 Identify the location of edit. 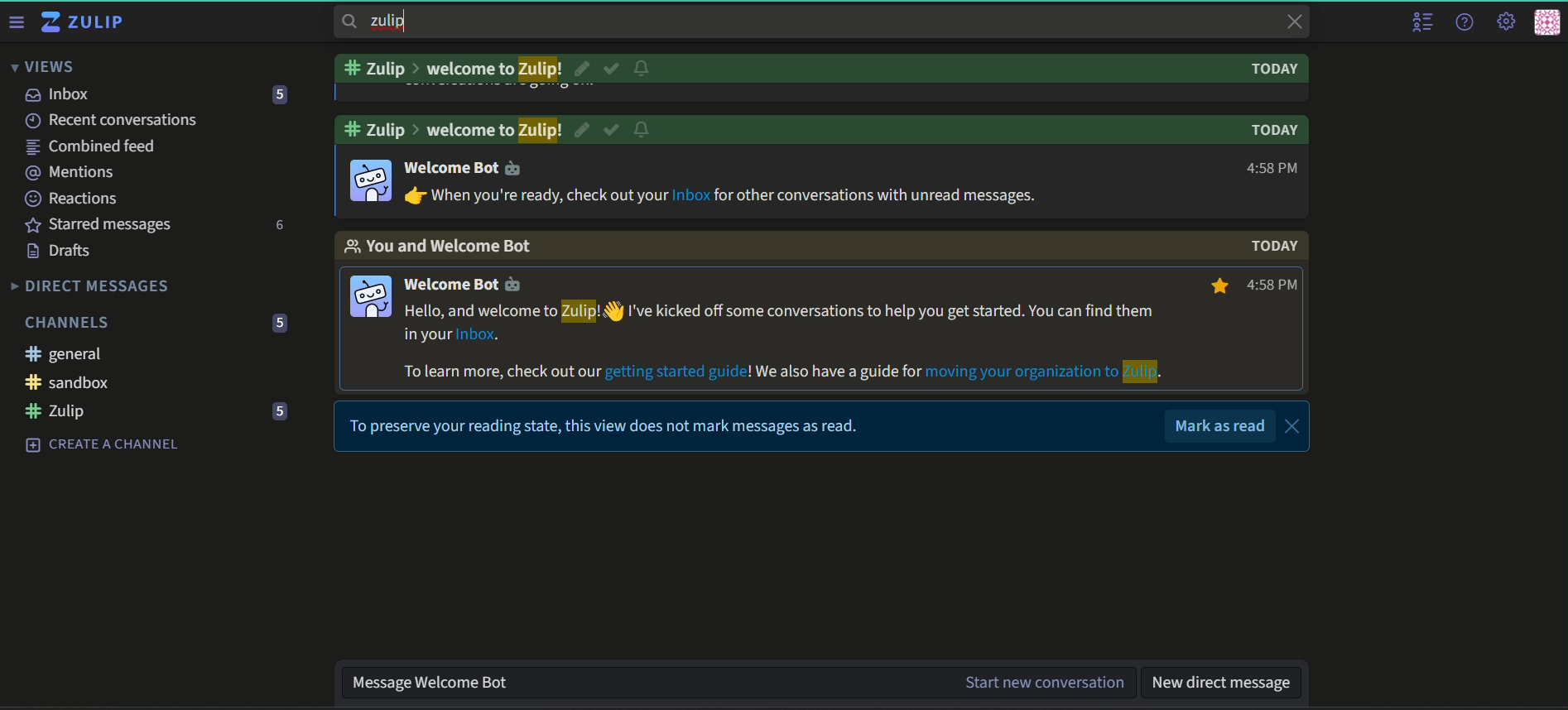
(581, 129).